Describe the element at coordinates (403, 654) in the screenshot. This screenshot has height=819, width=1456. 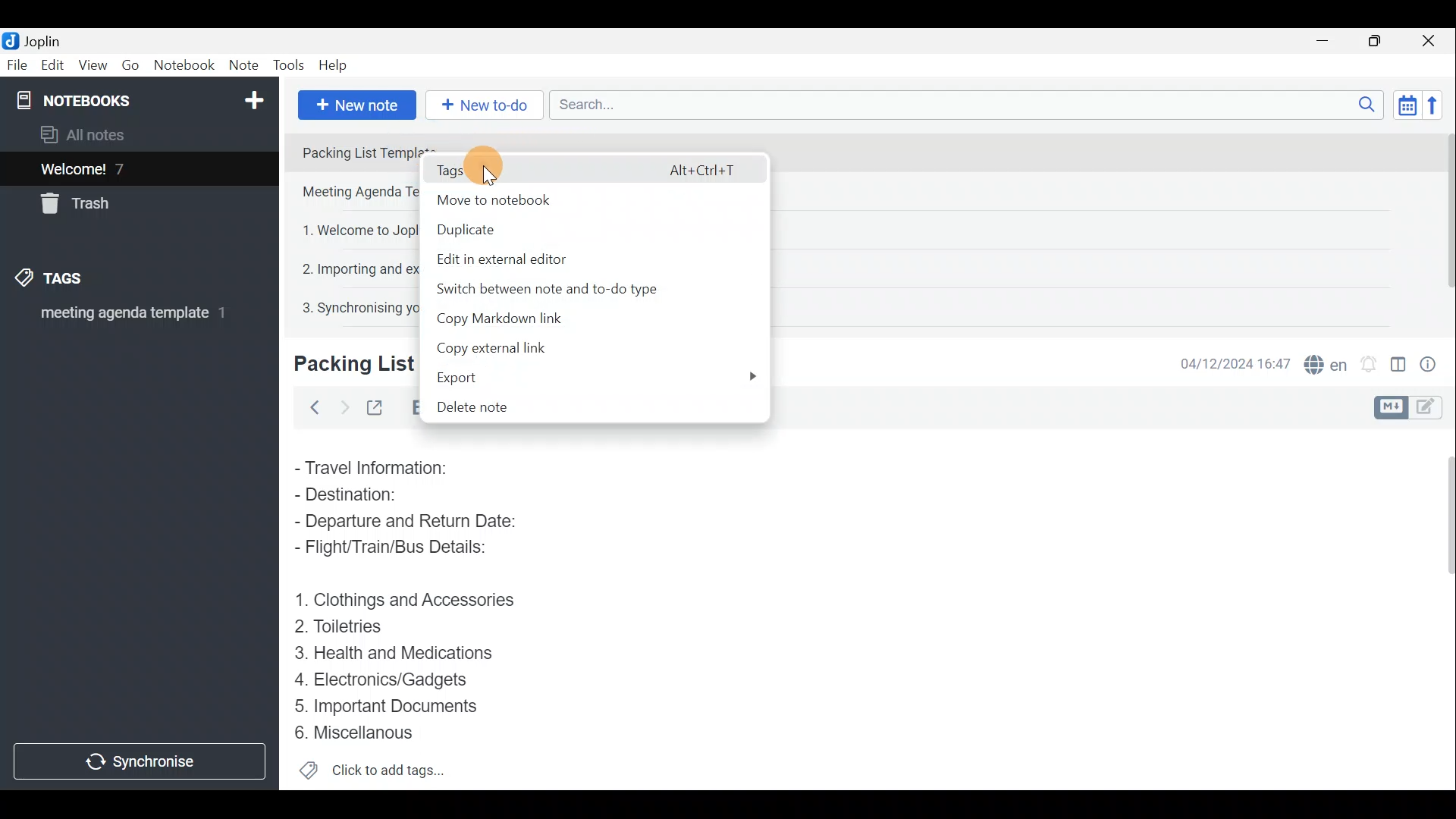
I see `Health and Medications` at that location.